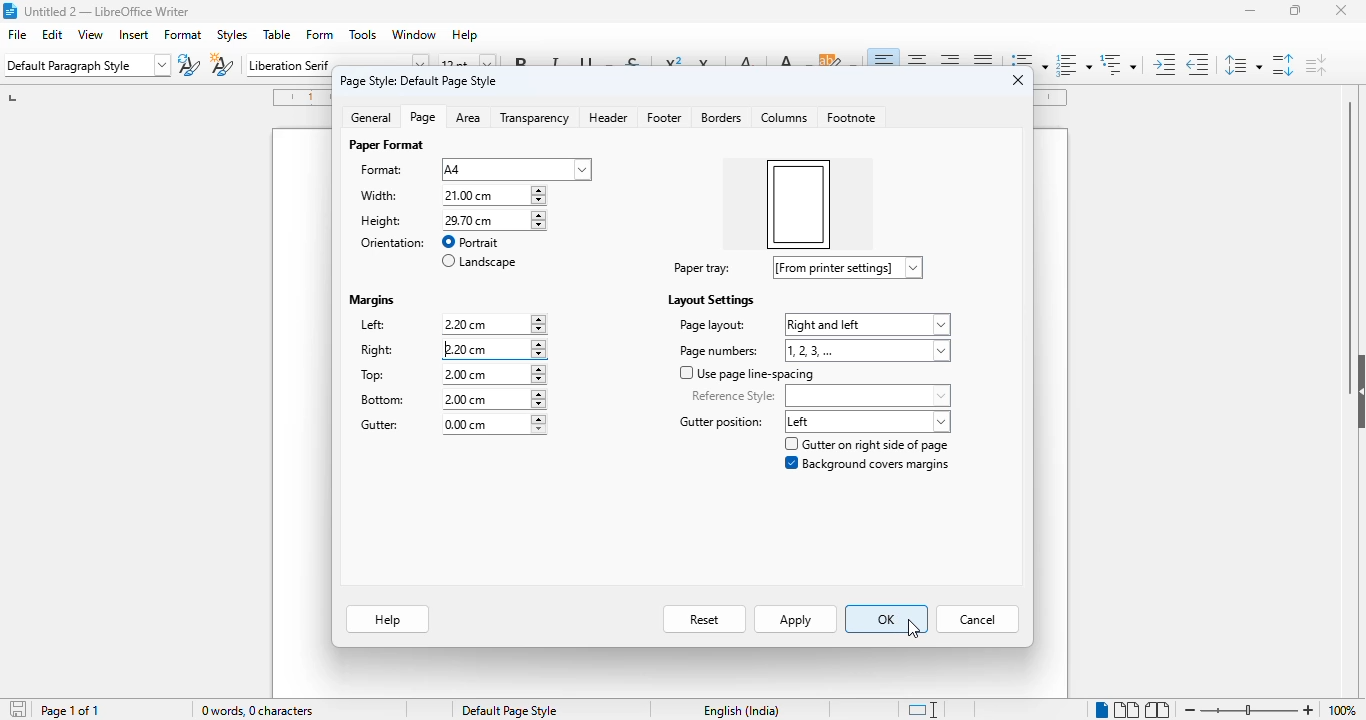 The width and height of the screenshot is (1366, 720). Describe the element at coordinates (374, 325) in the screenshot. I see `left: ` at that location.